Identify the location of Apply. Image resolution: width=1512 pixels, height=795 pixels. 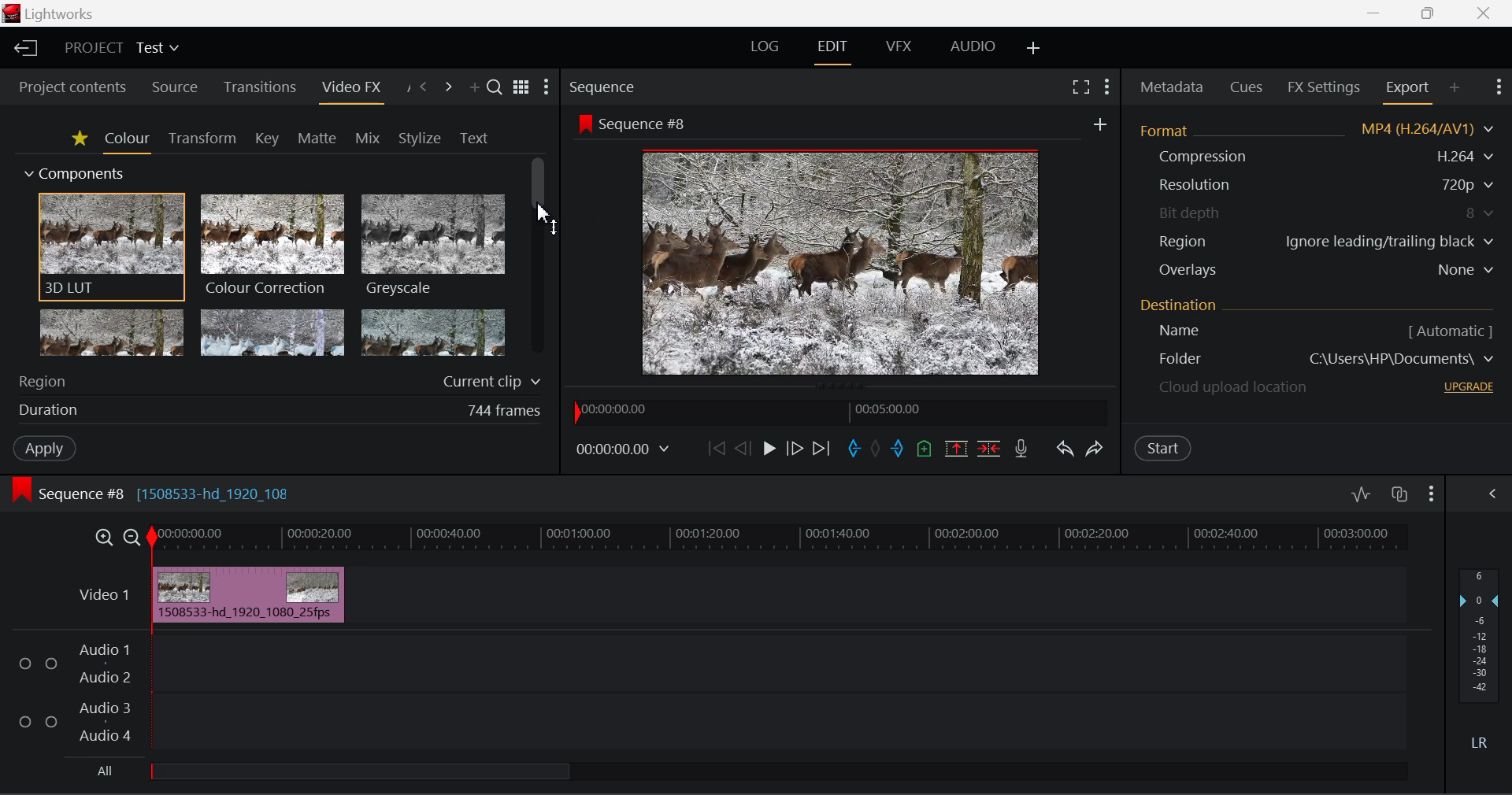
(36, 447).